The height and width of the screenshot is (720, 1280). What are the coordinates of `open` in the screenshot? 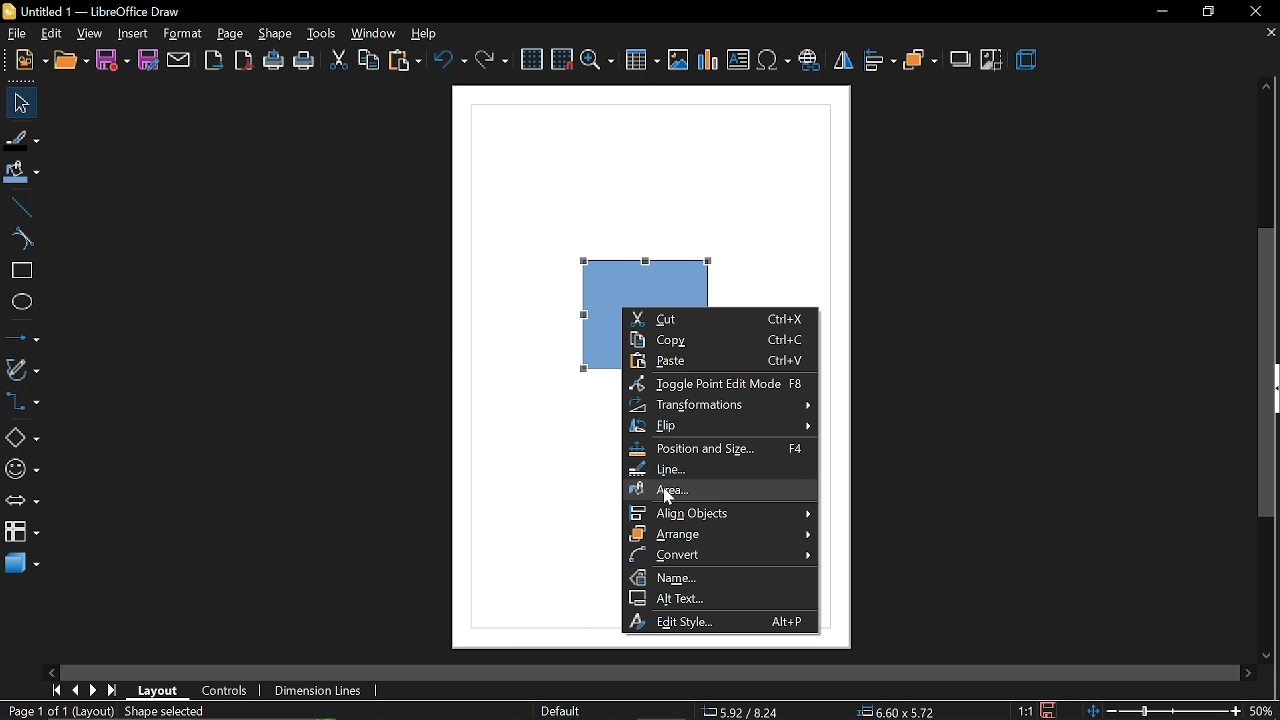 It's located at (70, 61).